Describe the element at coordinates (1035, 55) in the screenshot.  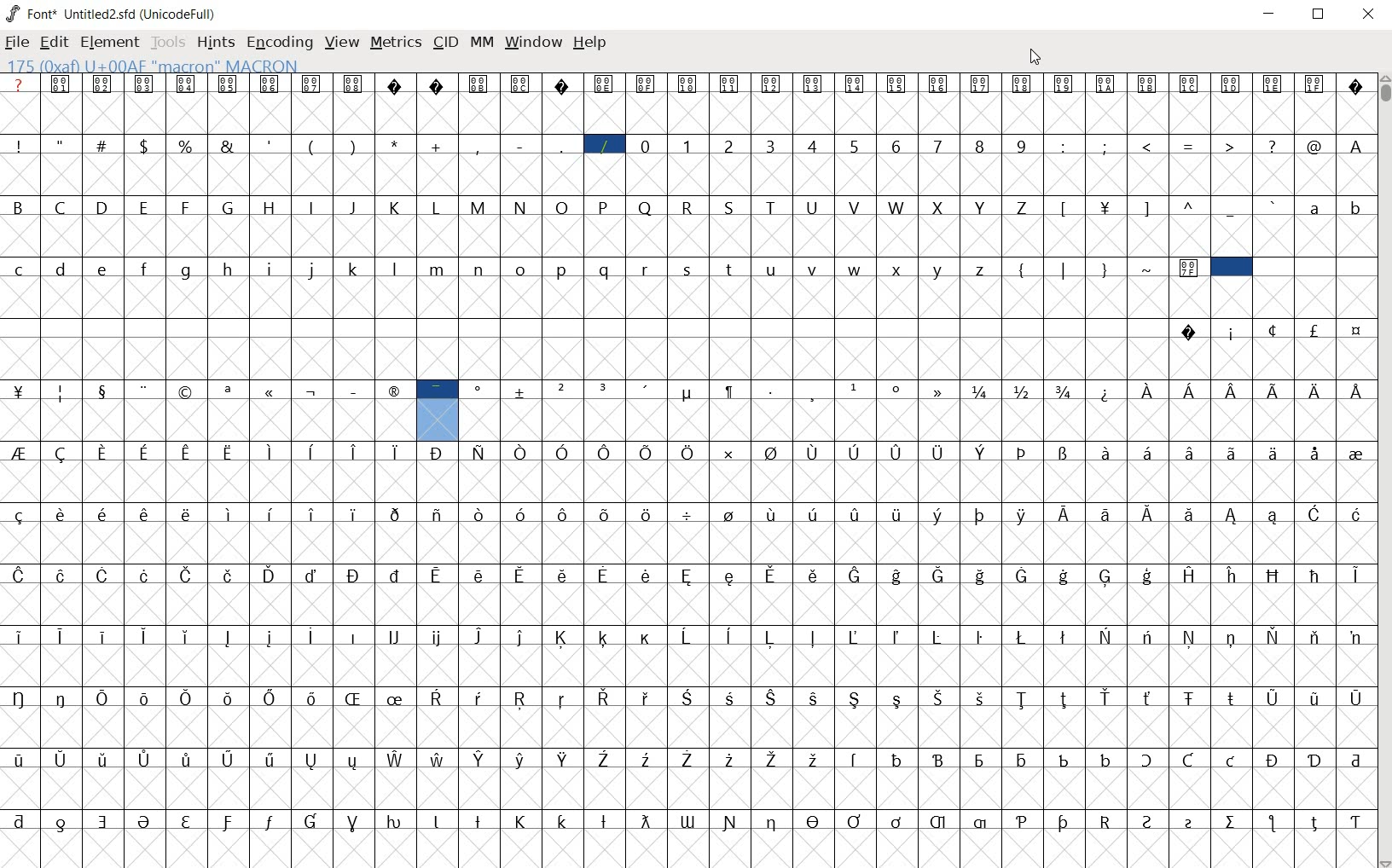
I see `CURSOR` at that location.